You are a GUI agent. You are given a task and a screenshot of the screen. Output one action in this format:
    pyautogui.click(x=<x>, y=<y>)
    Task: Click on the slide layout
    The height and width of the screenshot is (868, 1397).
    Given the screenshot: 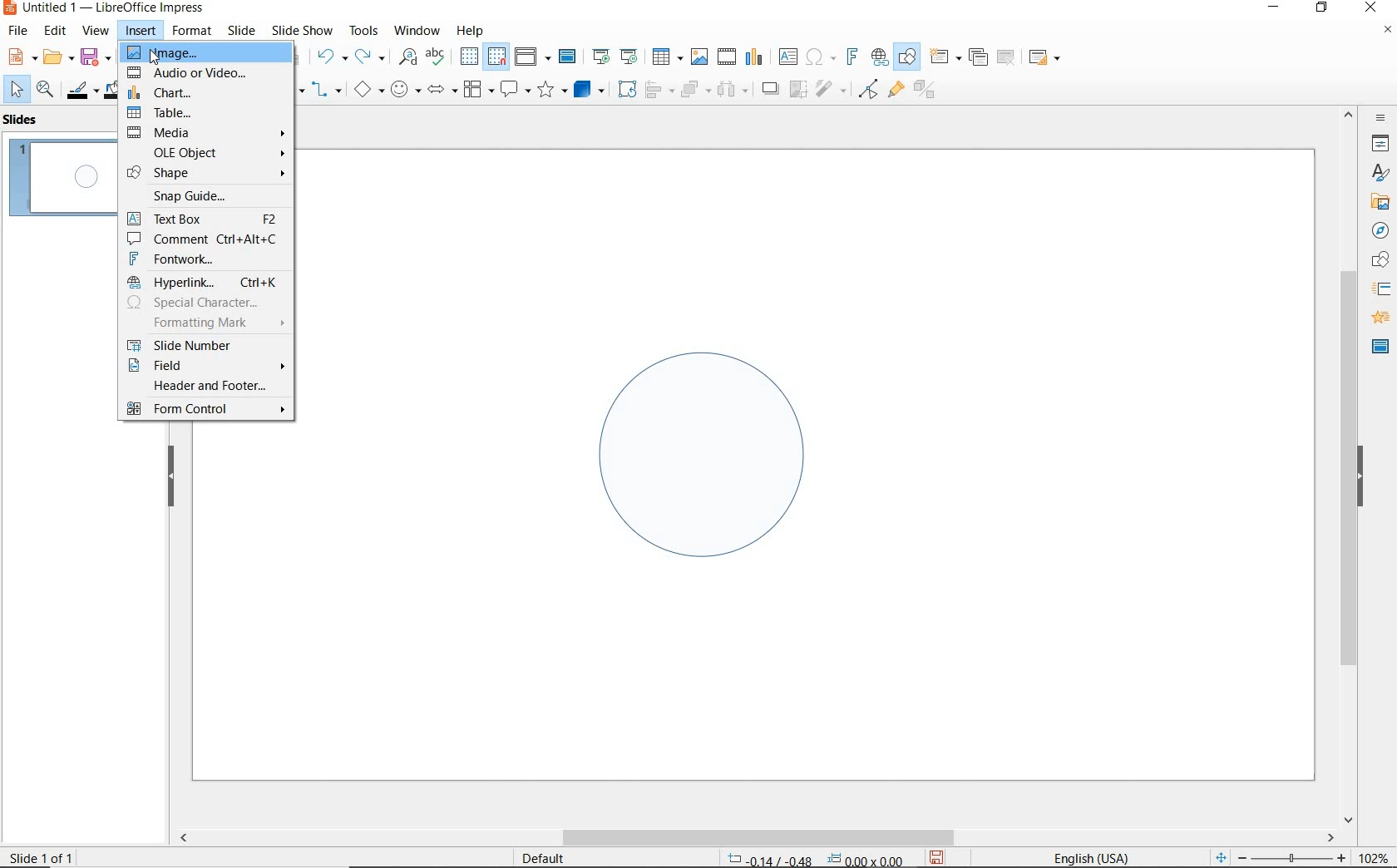 What is the action you would take?
    pyautogui.click(x=1045, y=58)
    